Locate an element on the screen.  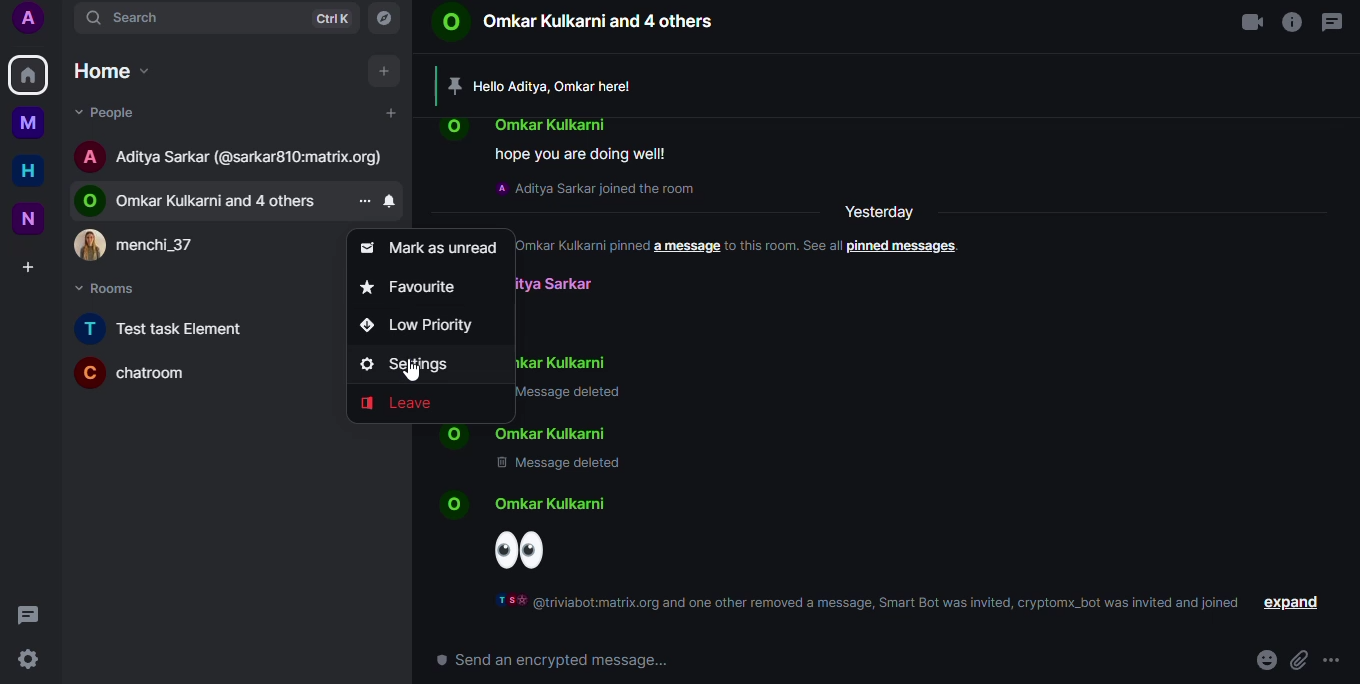
quick settings is located at coordinates (30, 660).